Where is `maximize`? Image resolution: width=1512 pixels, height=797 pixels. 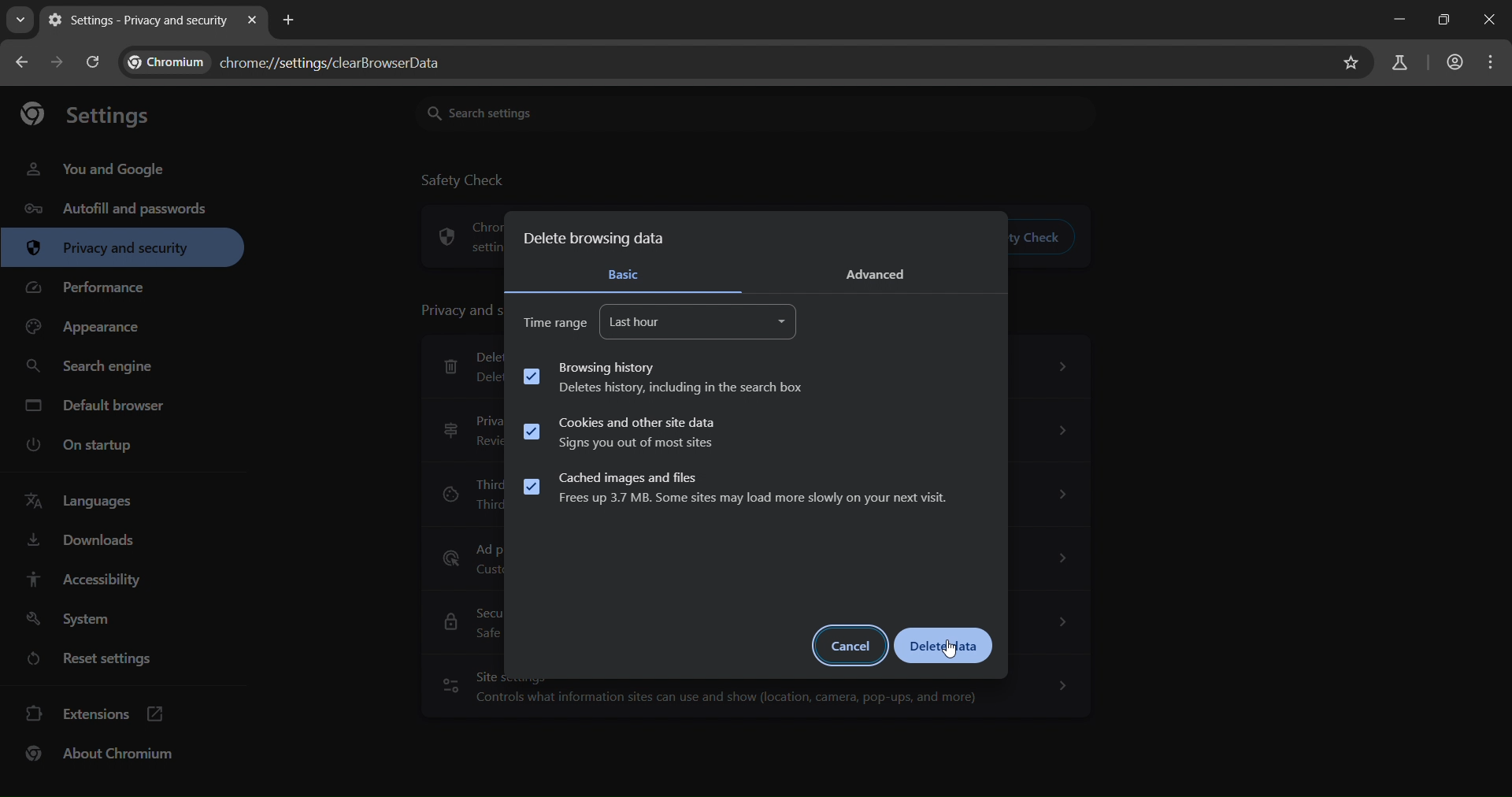
maximize is located at coordinates (1438, 20).